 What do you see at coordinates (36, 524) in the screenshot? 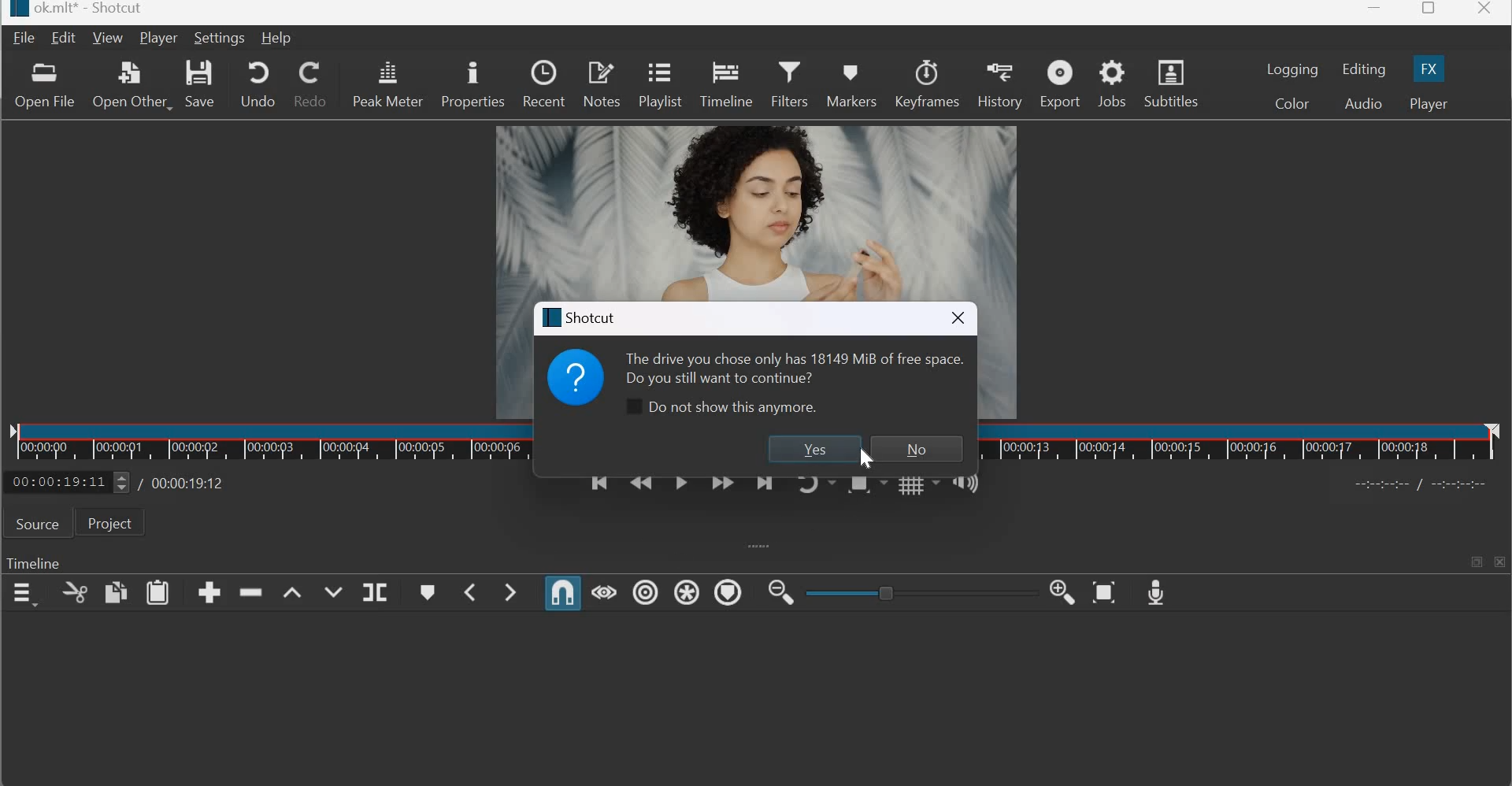
I see `Source` at bounding box center [36, 524].